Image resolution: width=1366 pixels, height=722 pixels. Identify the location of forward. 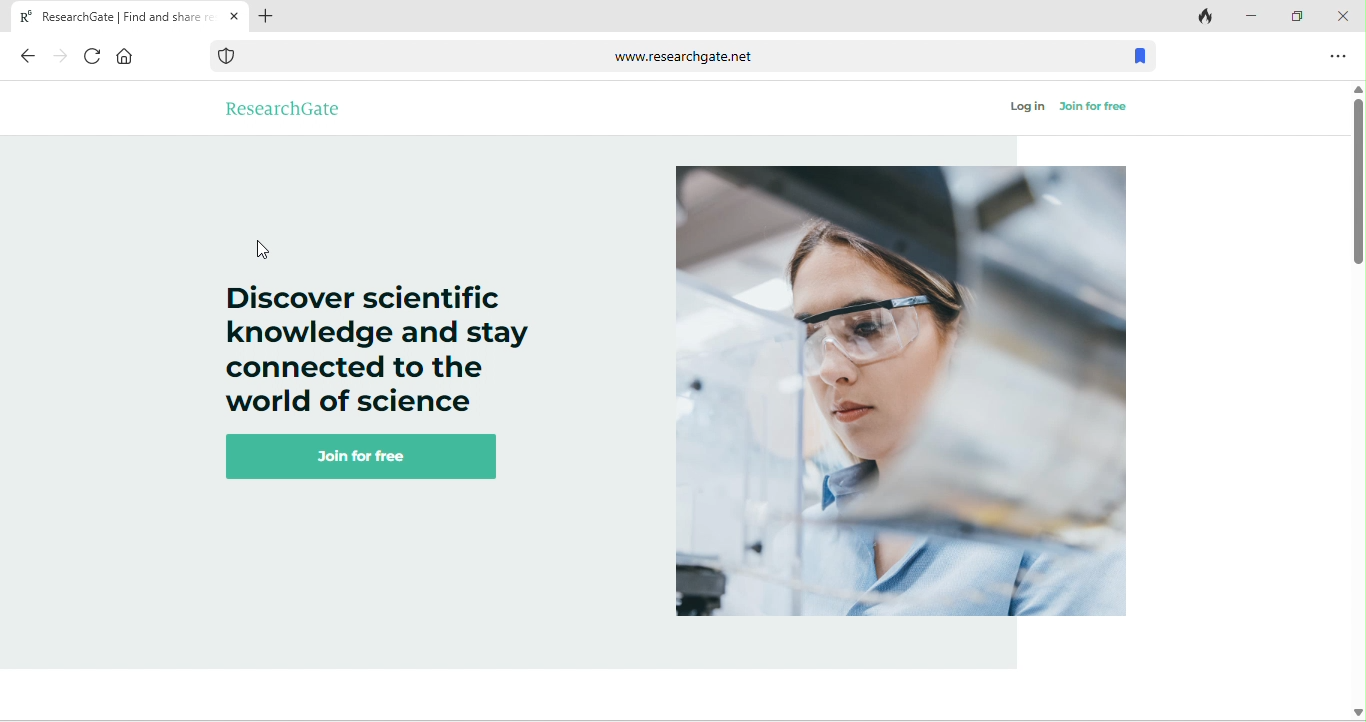
(57, 58).